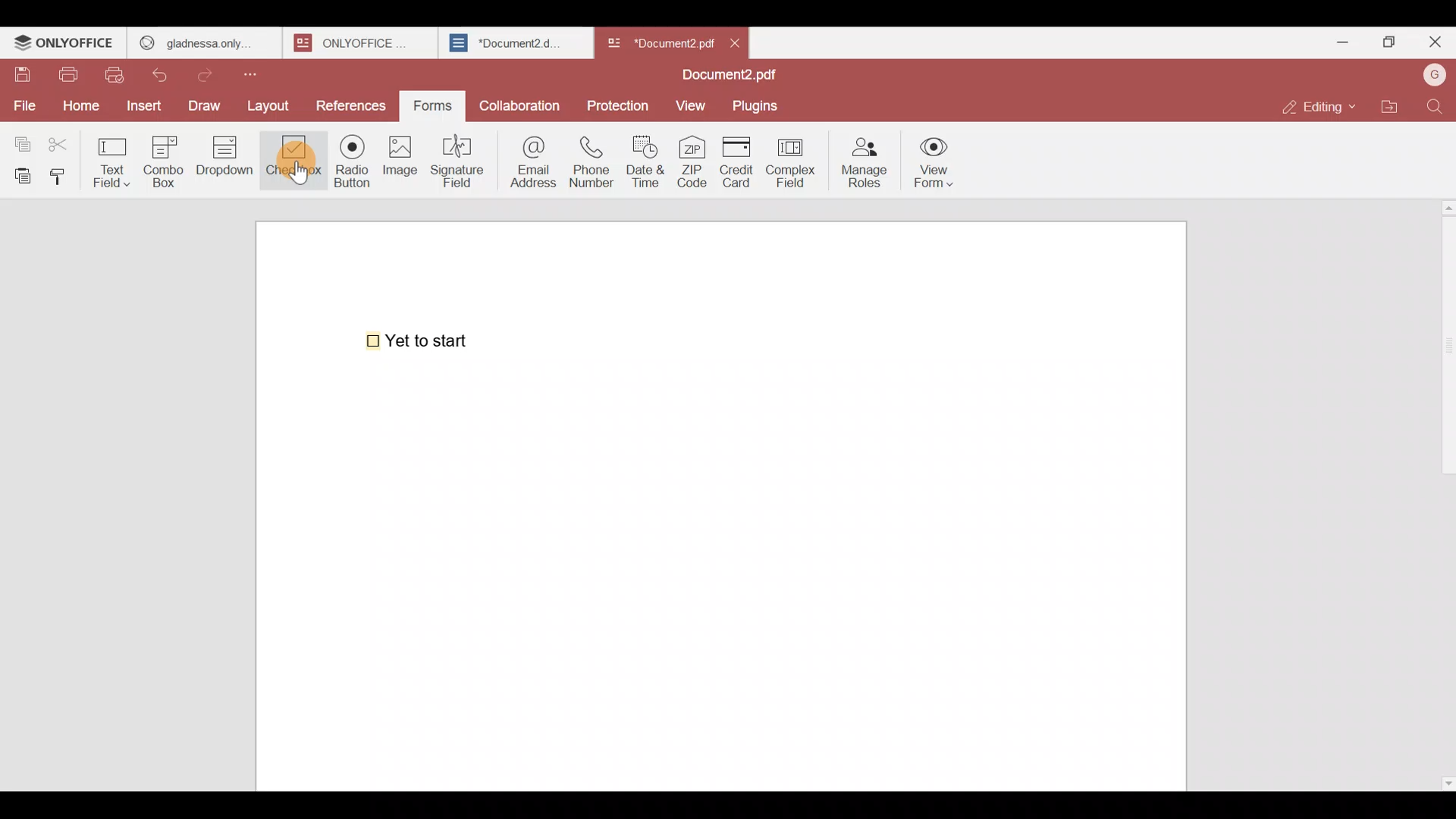 The height and width of the screenshot is (819, 1456). I want to click on Scroll bar, so click(1443, 491).